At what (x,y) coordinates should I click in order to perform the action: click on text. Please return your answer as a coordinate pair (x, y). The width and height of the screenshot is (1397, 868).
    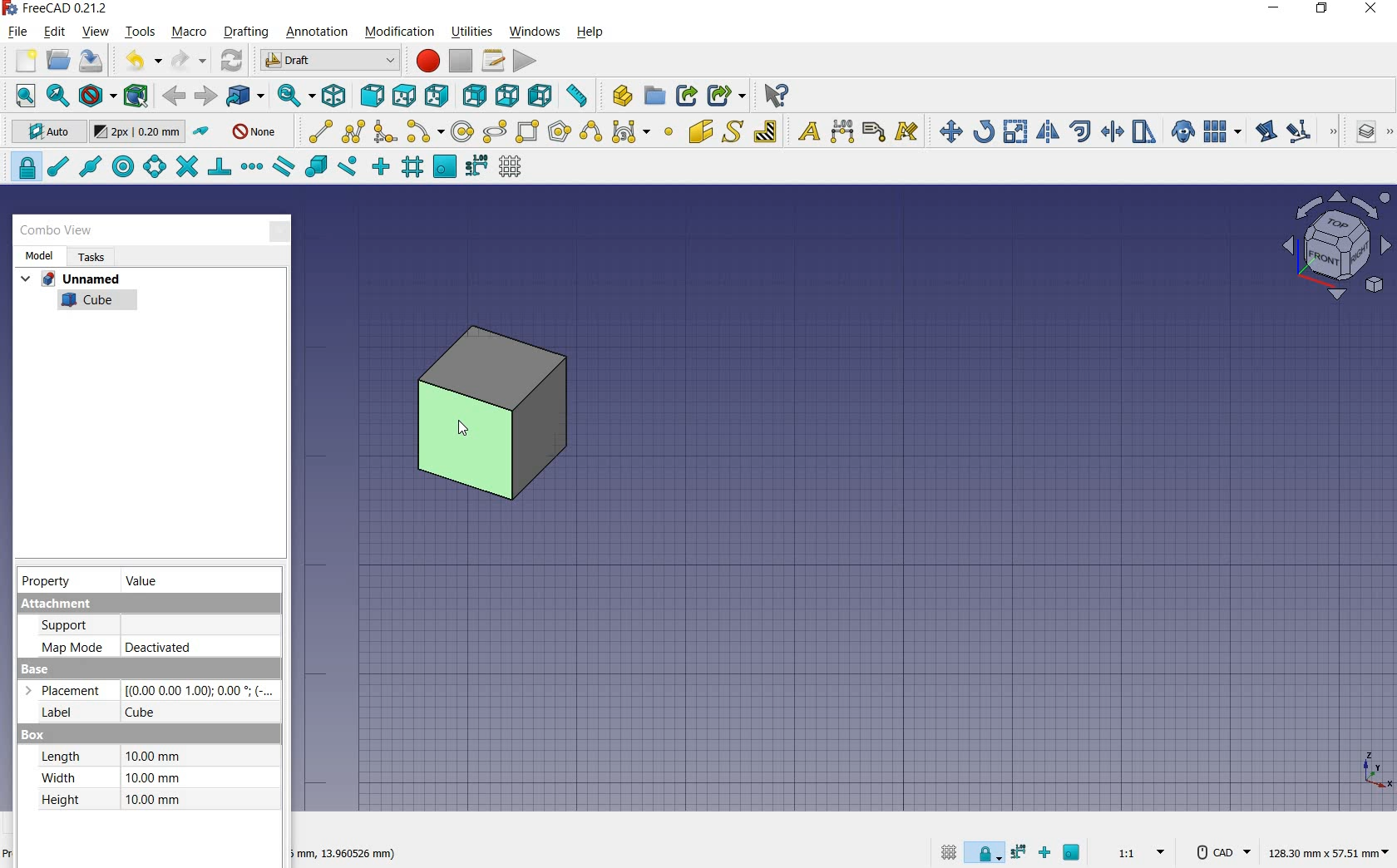
    Looking at the image, I should click on (806, 131).